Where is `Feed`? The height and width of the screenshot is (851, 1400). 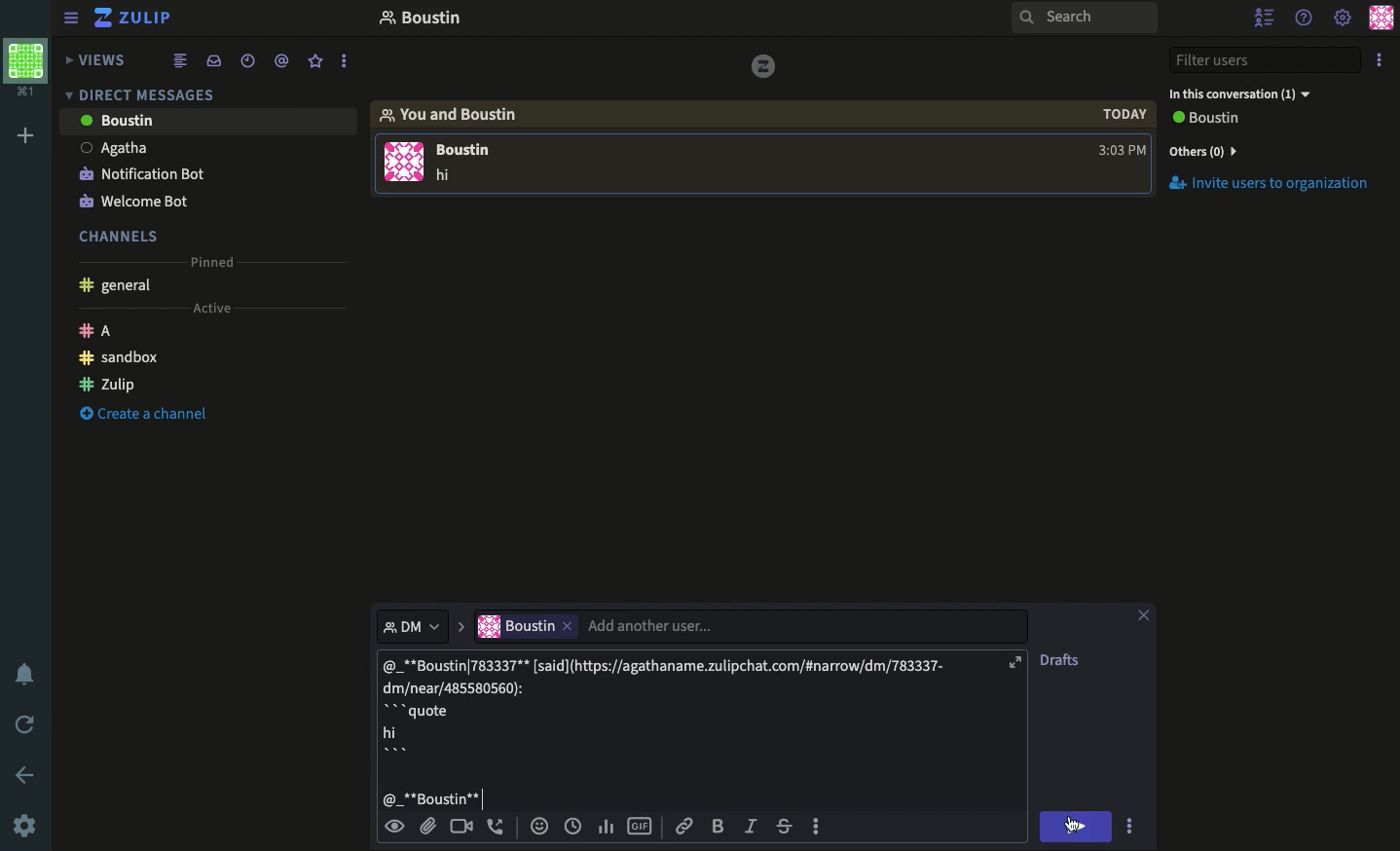
Feed is located at coordinates (183, 61).